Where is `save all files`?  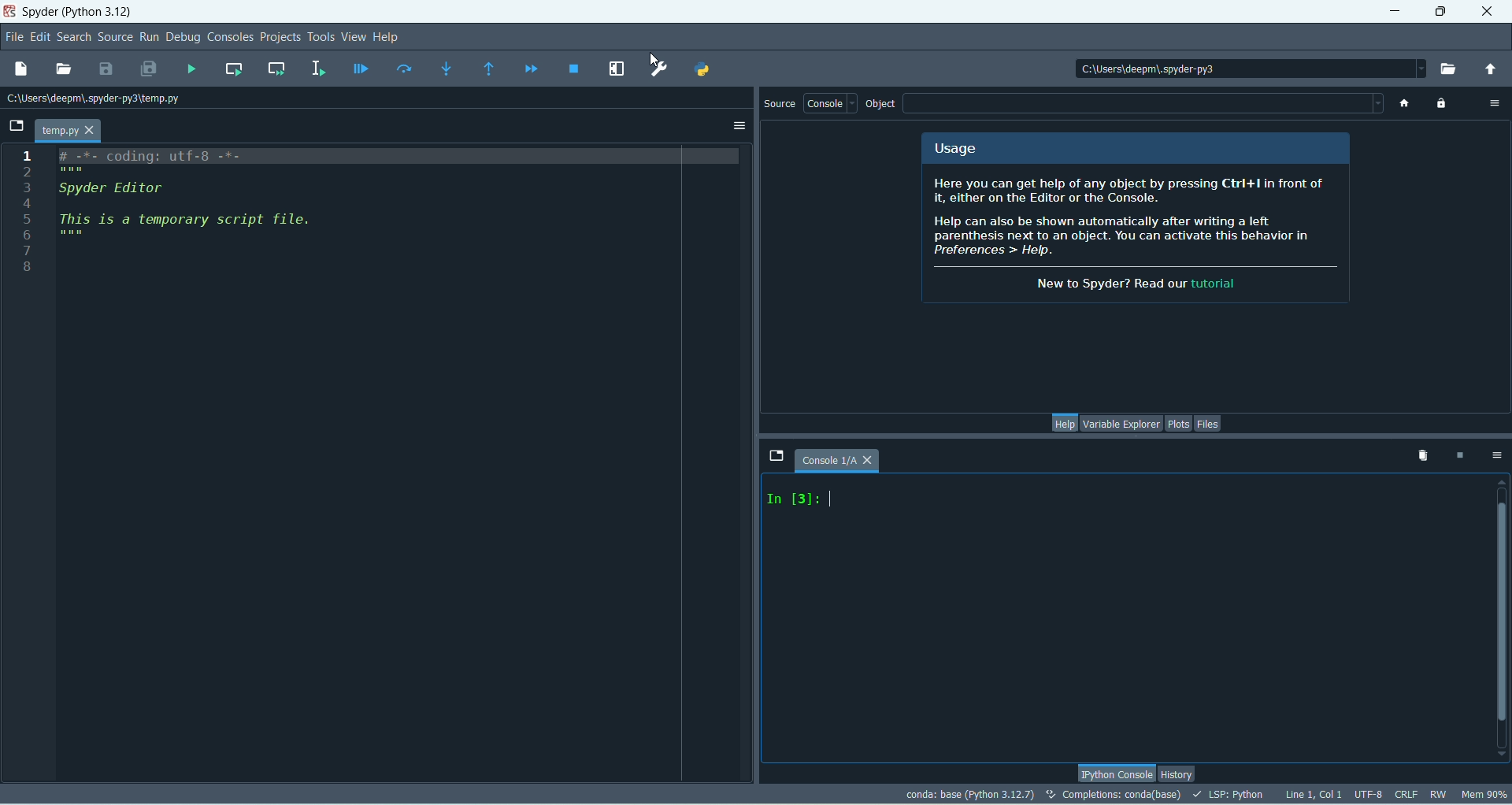
save all files is located at coordinates (150, 68).